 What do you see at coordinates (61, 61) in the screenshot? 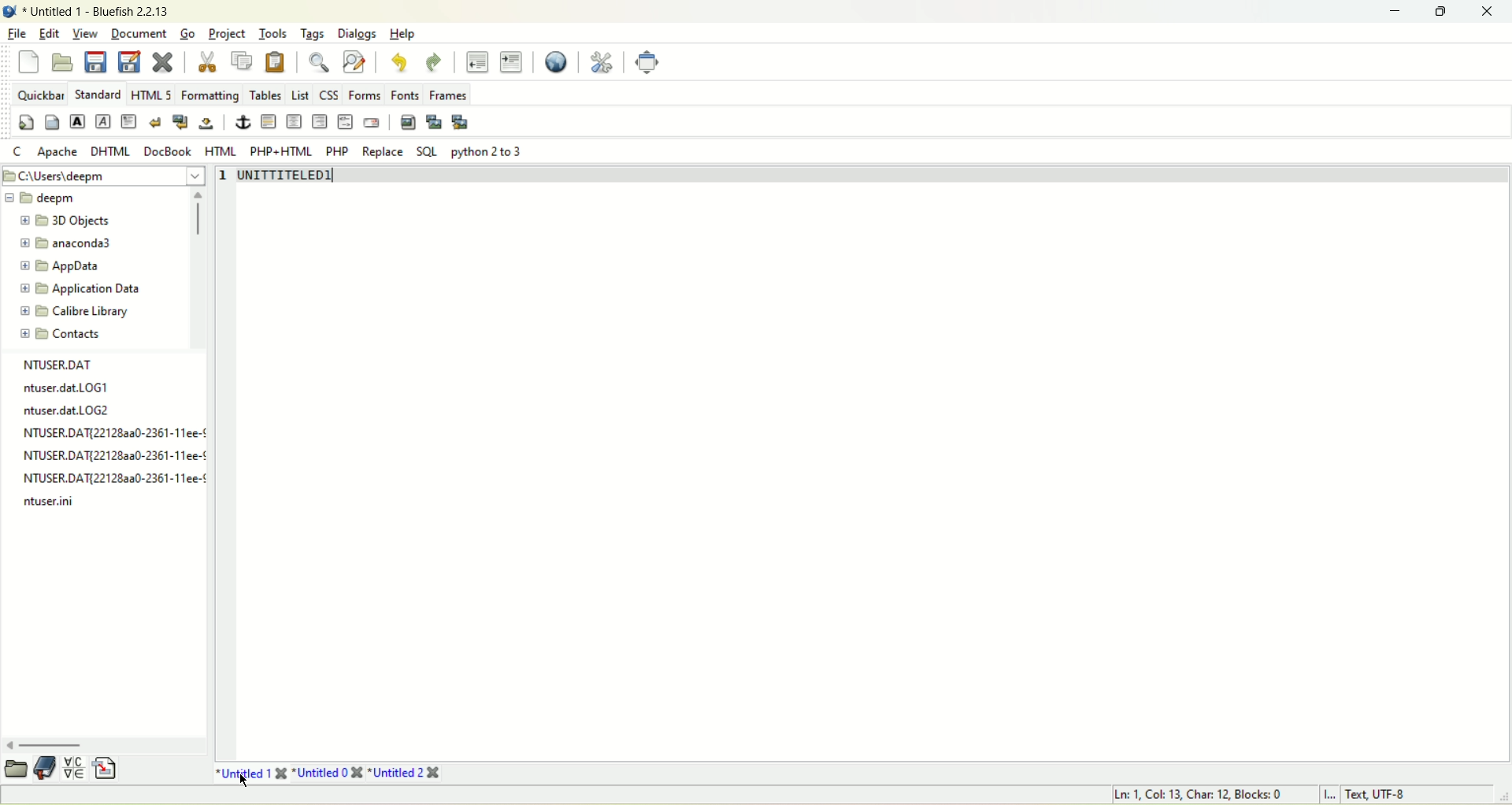
I see `open file` at bounding box center [61, 61].